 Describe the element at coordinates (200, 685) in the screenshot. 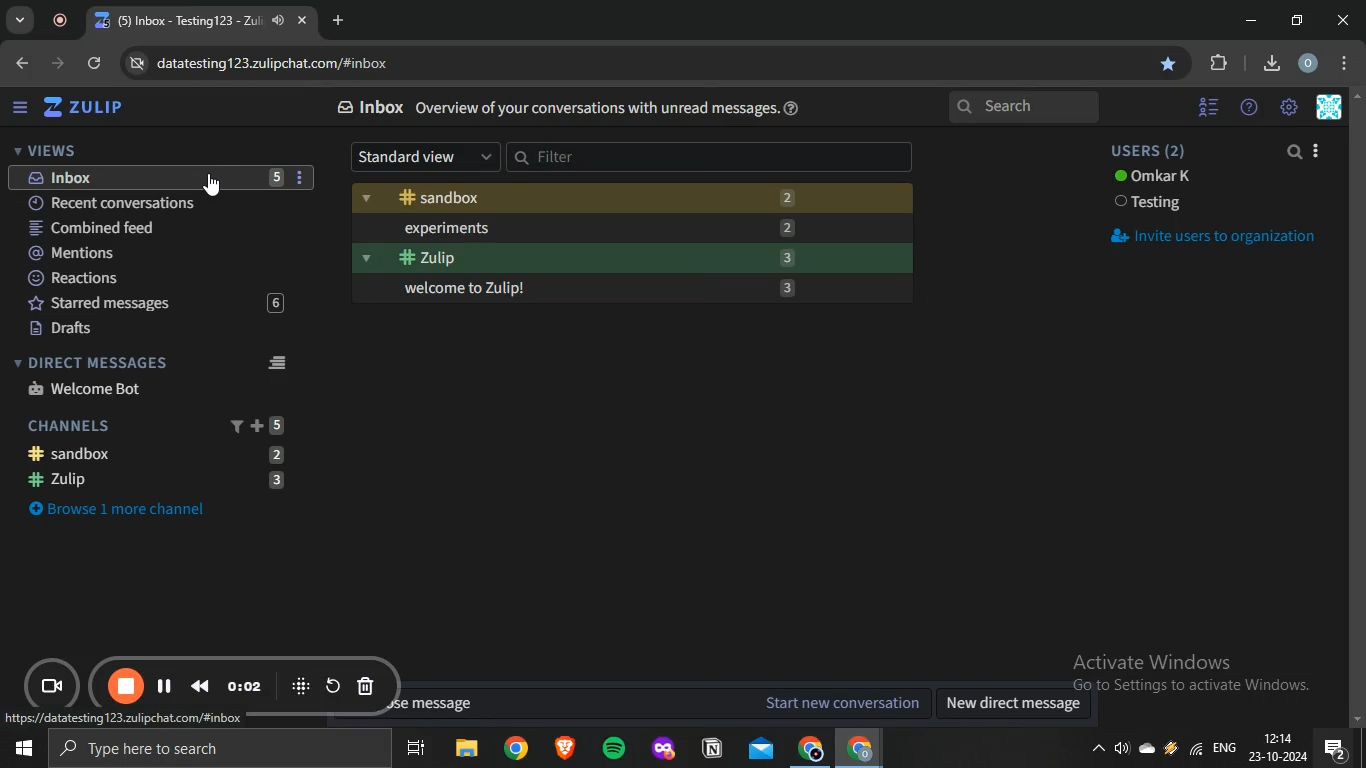

I see `preview back` at that location.